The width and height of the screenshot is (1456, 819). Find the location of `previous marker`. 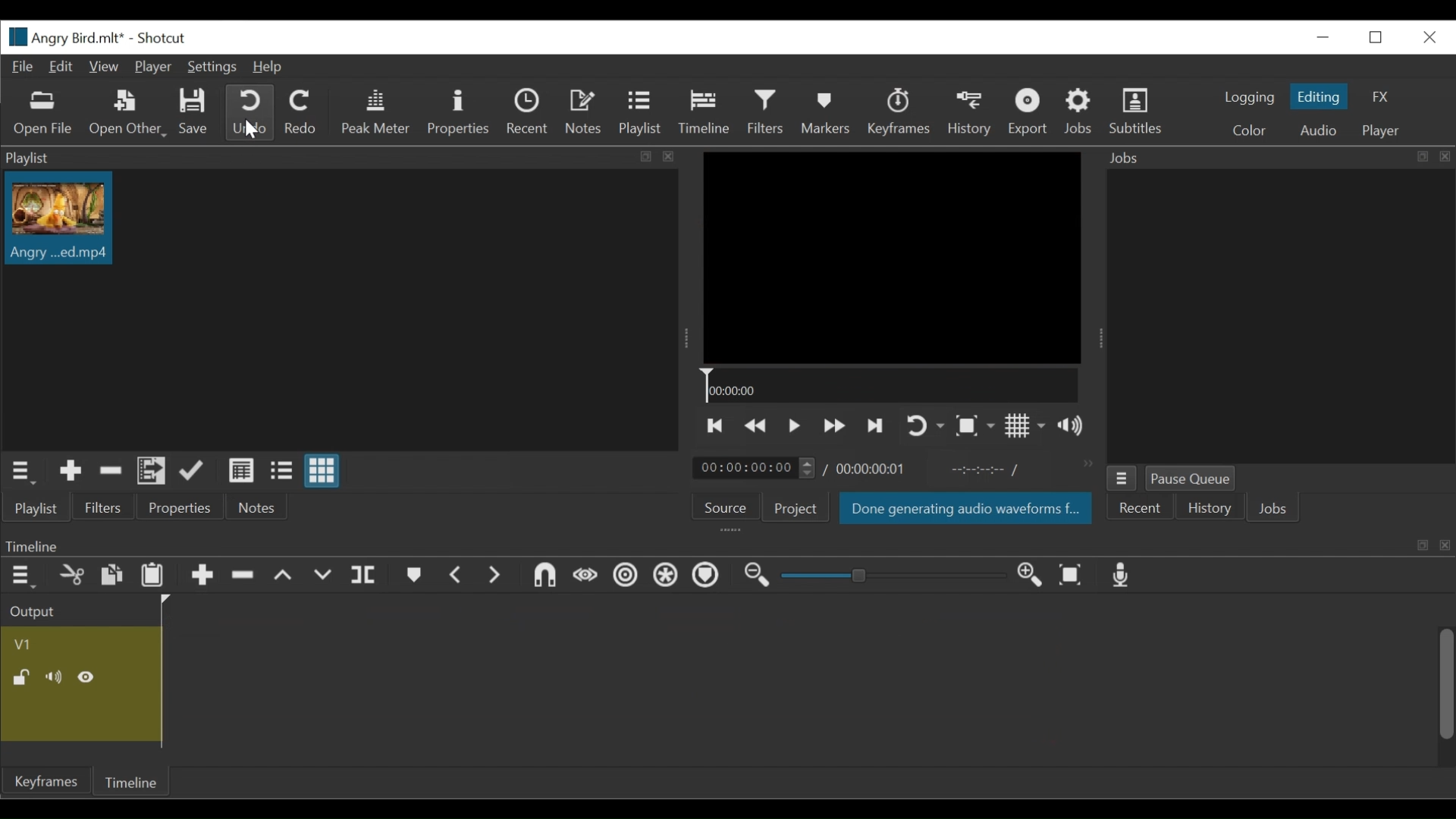

previous marker is located at coordinates (457, 575).